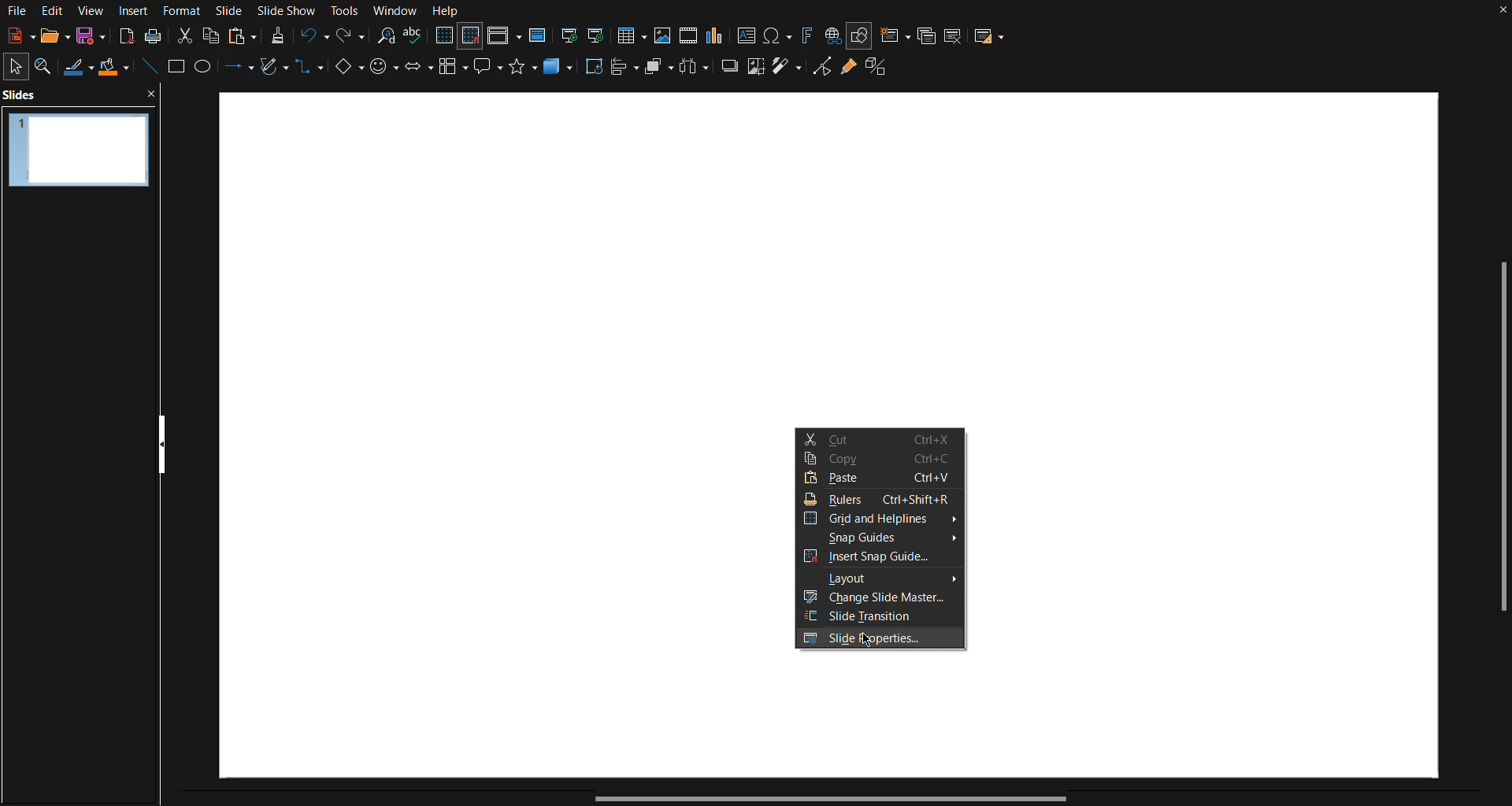  Describe the element at coordinates (716, 35) in the screenshot. I see `Insert graph` at that location.